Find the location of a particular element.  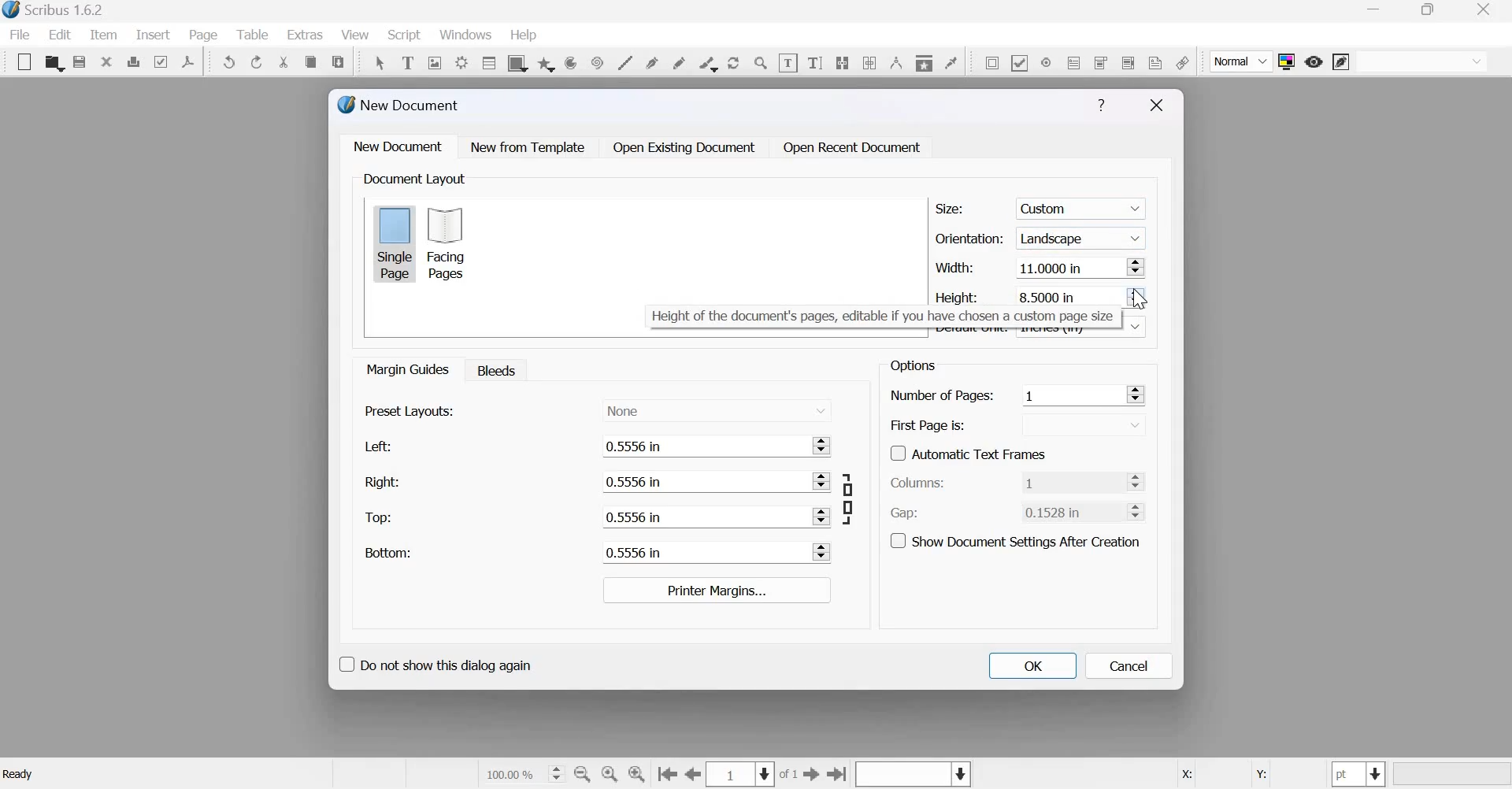

normal vision is located at coordinates (1422, 61).